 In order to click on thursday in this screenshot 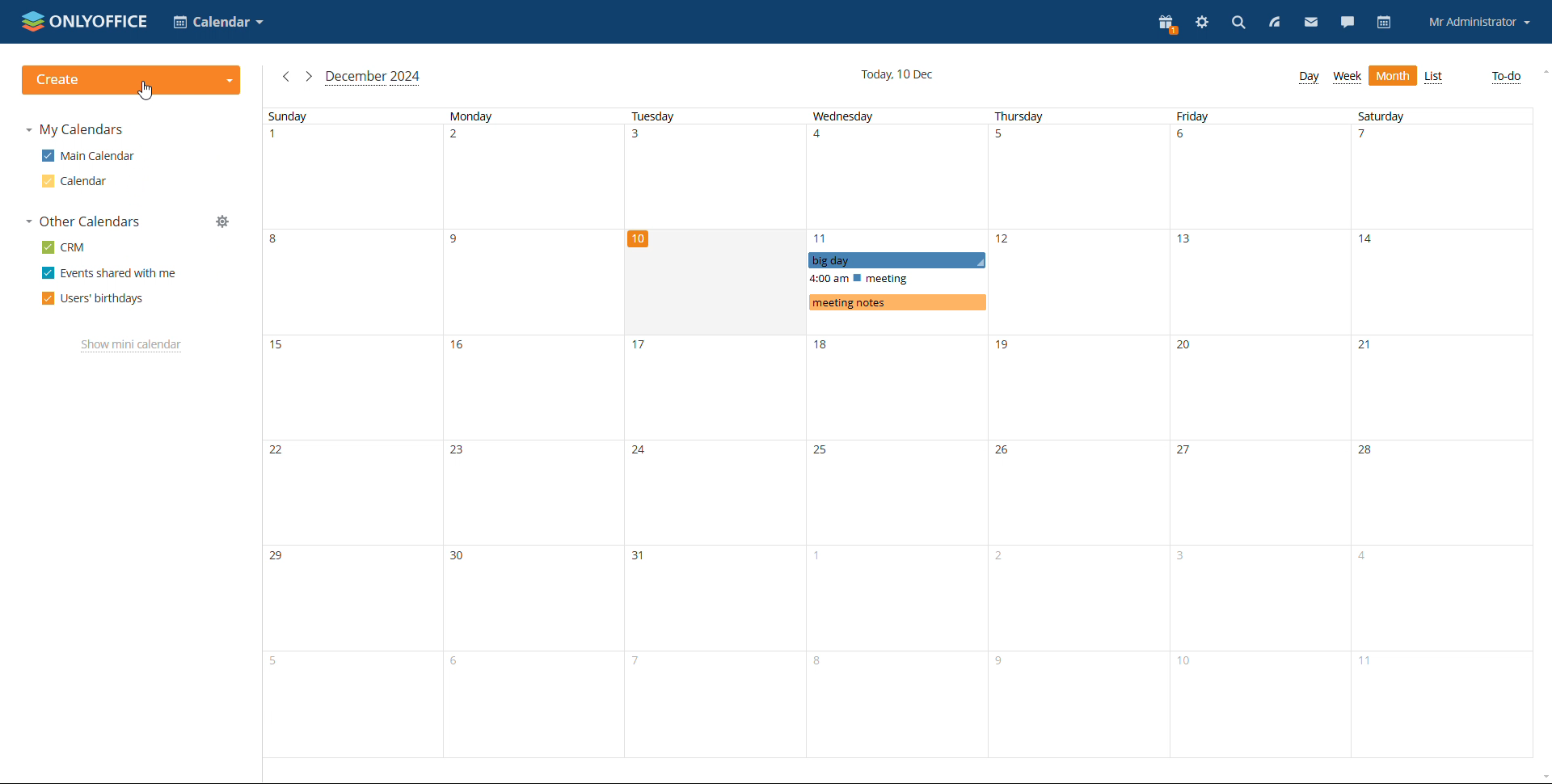, I will do `click(1079, 432)`.